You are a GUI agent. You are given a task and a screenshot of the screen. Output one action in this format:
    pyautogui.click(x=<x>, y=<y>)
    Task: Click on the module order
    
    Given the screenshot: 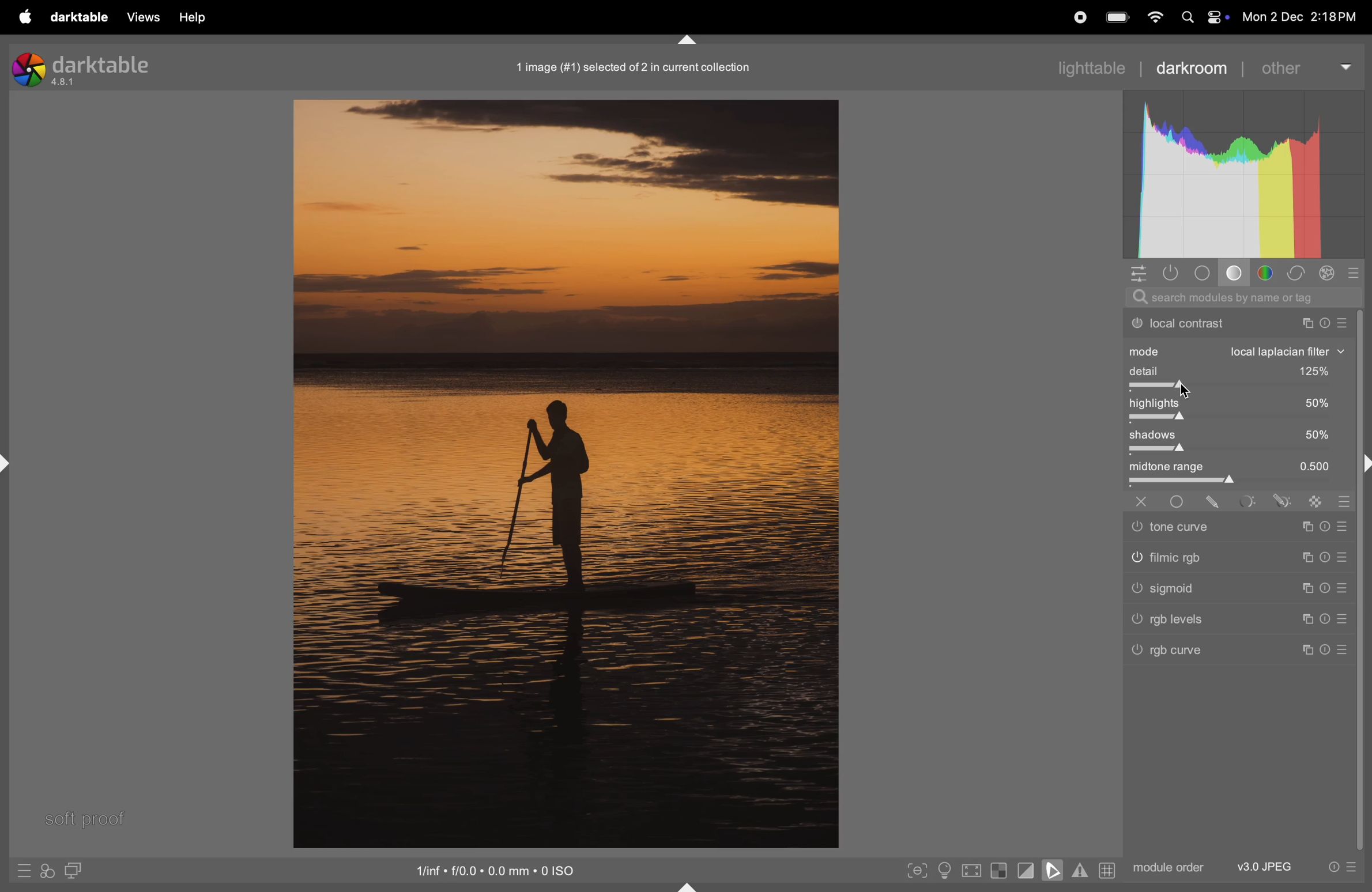 What is the action you would take?
    pyautogui.click(x=1166, y=867)
    